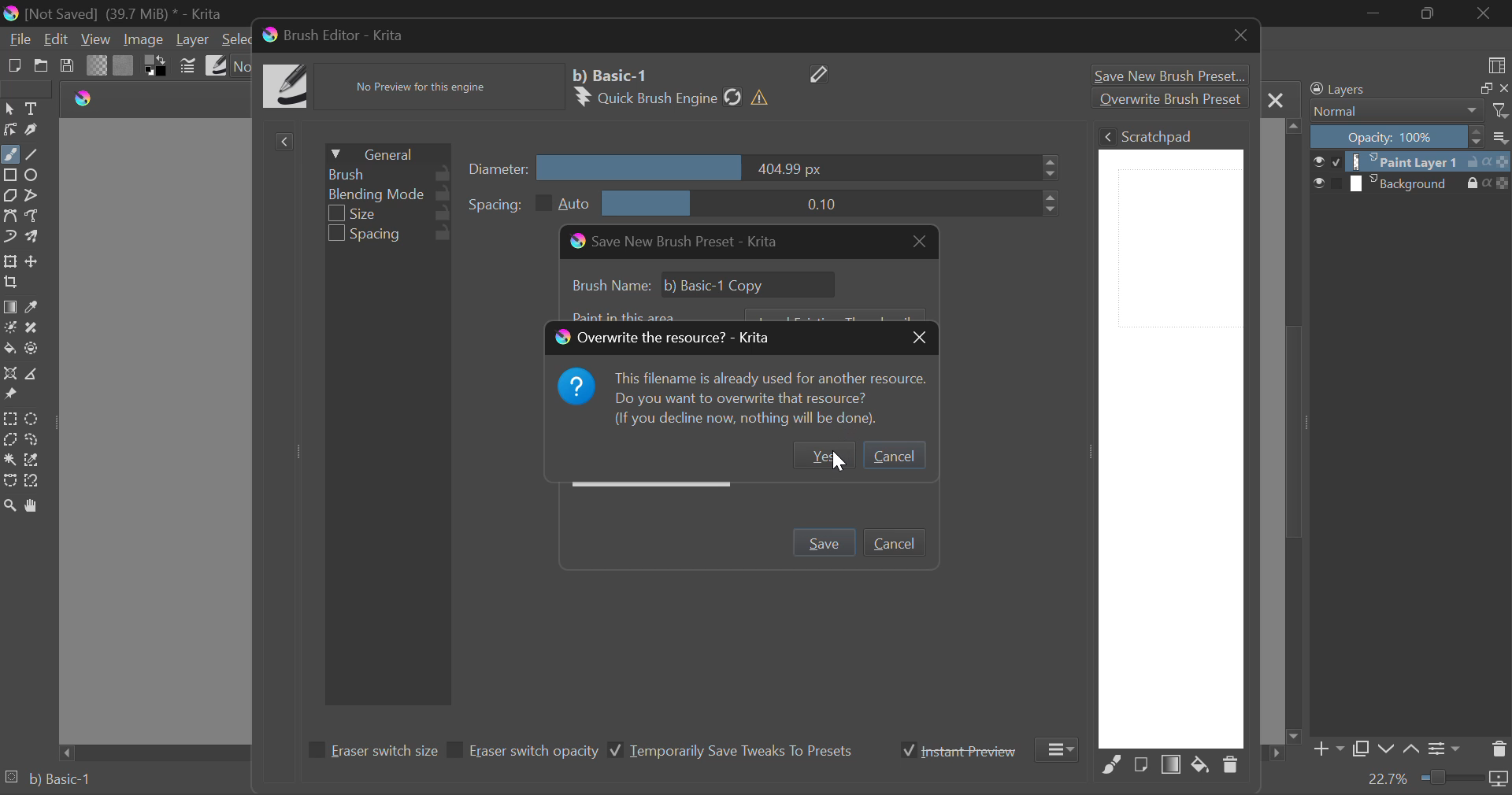 Image resolution: width=1512 pixels, height=795 pixels. Describe the element at coordinates (370, 752) in the screenshot. I see `Eraser switch size` at that location.